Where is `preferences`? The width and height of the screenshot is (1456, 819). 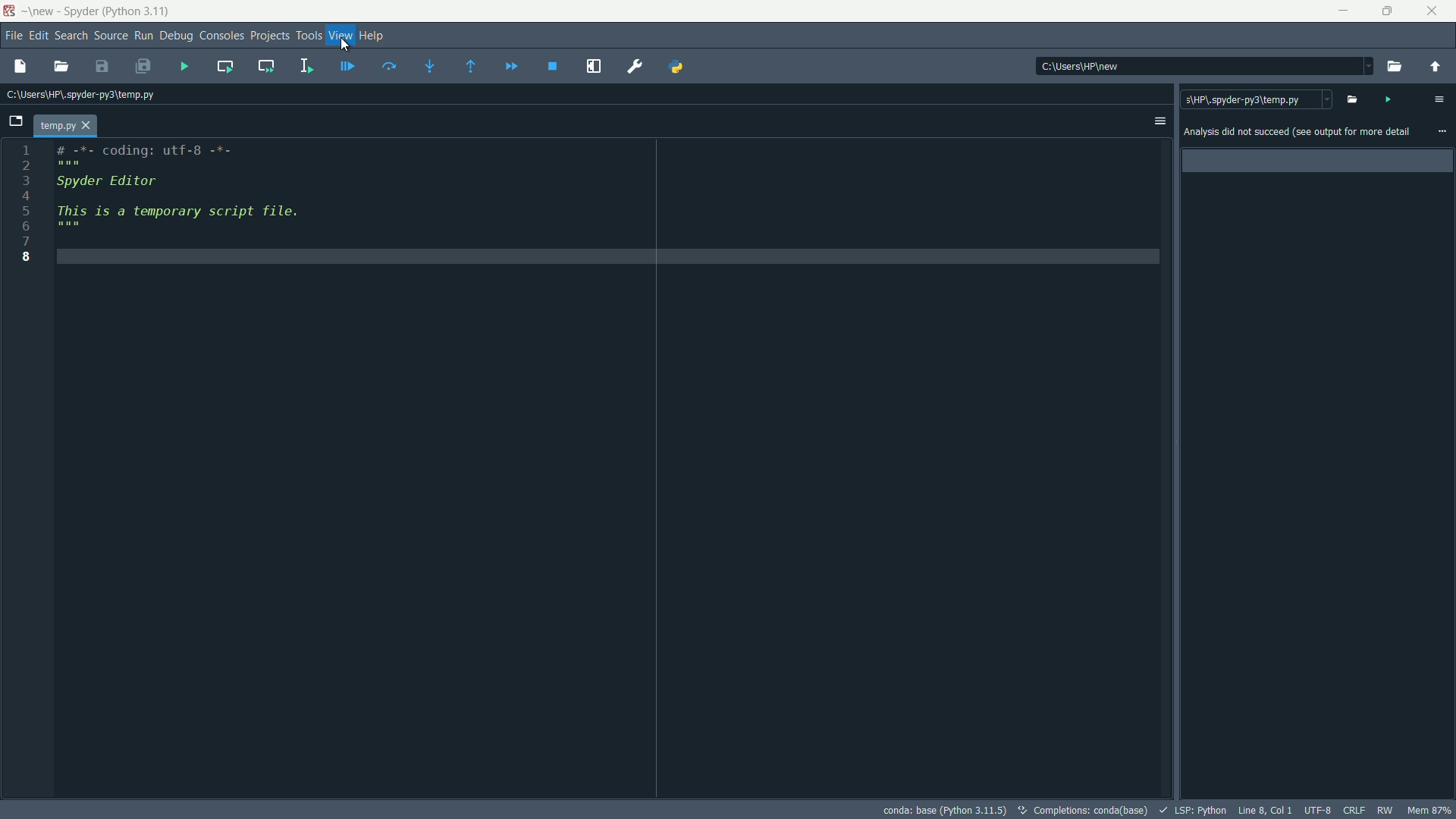
preferences is located at coordinates (635, 67).